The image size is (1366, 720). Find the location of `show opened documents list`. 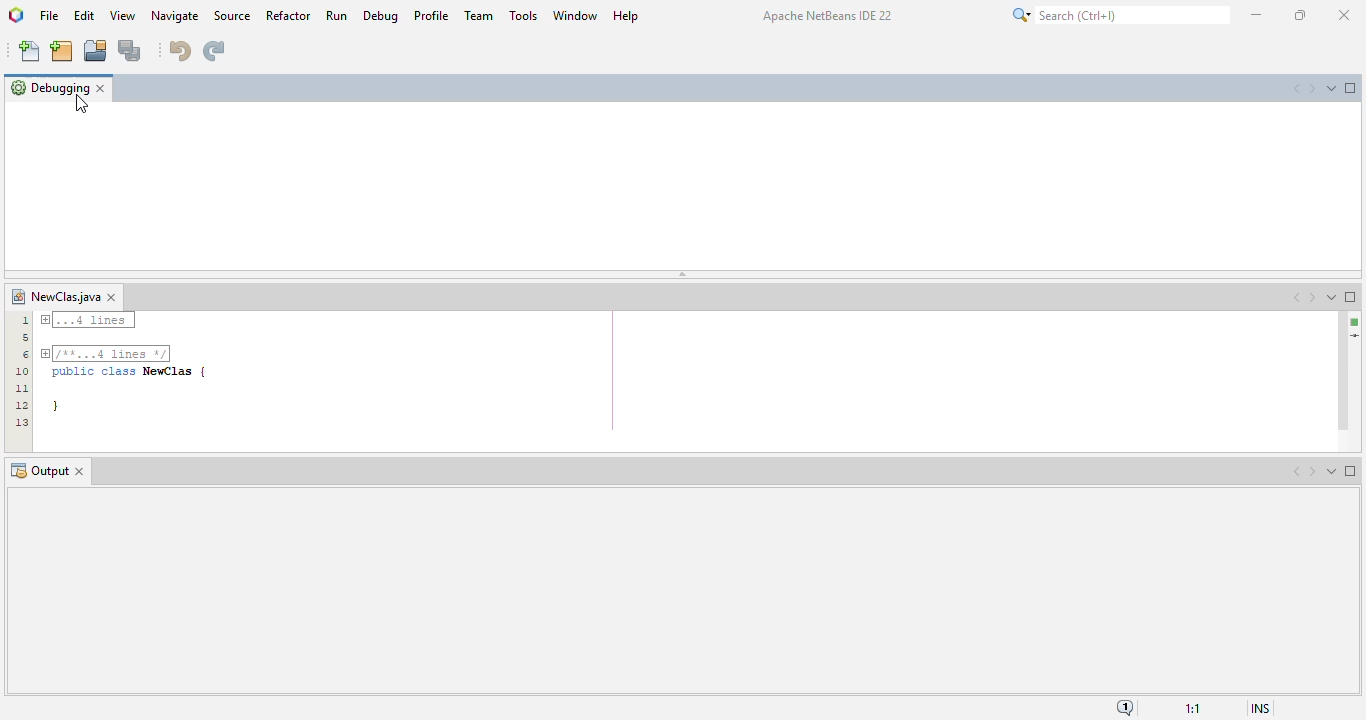

show opened documents list is located at coordinates (1332, 471).